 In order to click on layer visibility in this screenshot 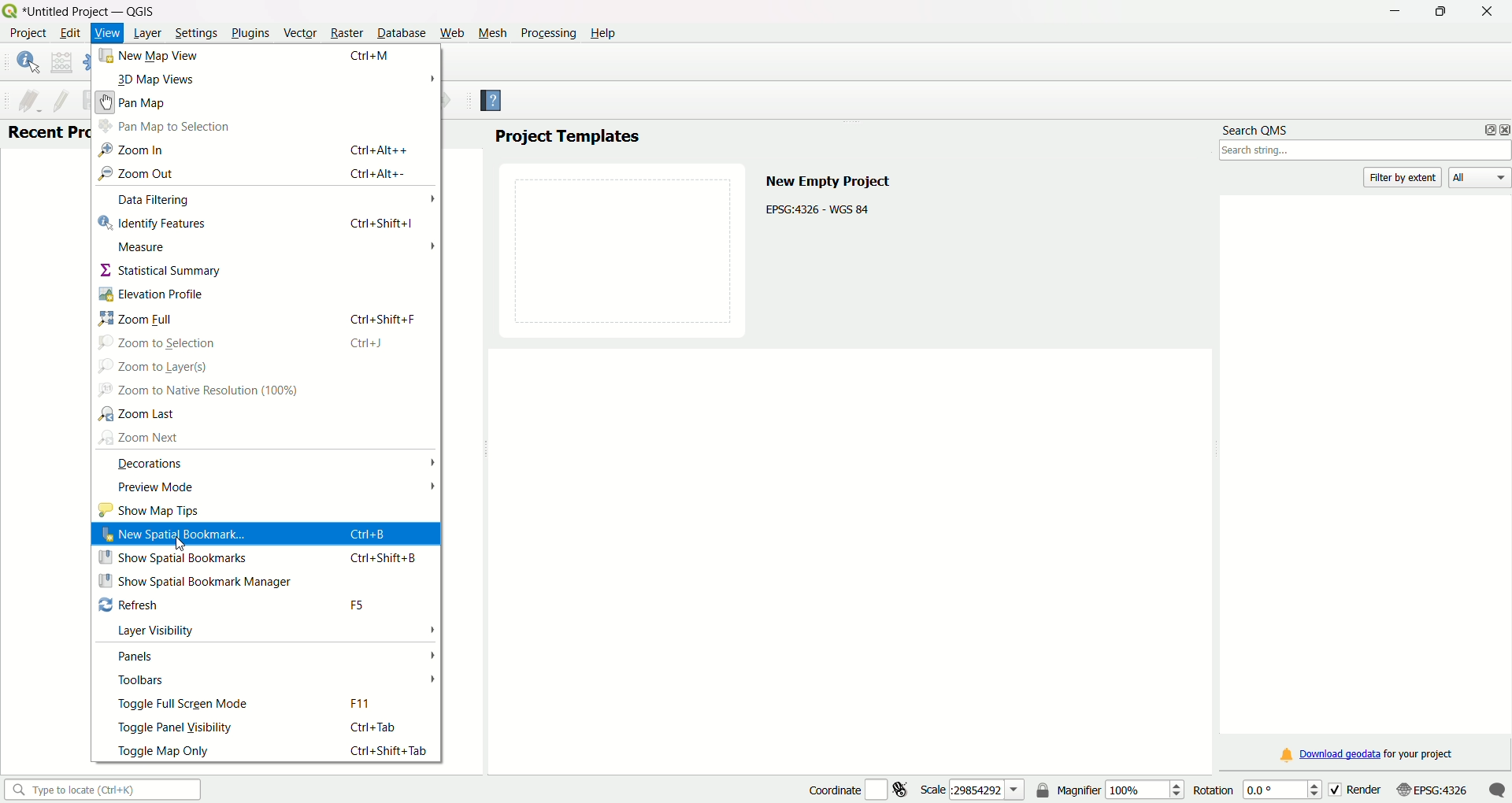, I will do `click(159, 631)`.